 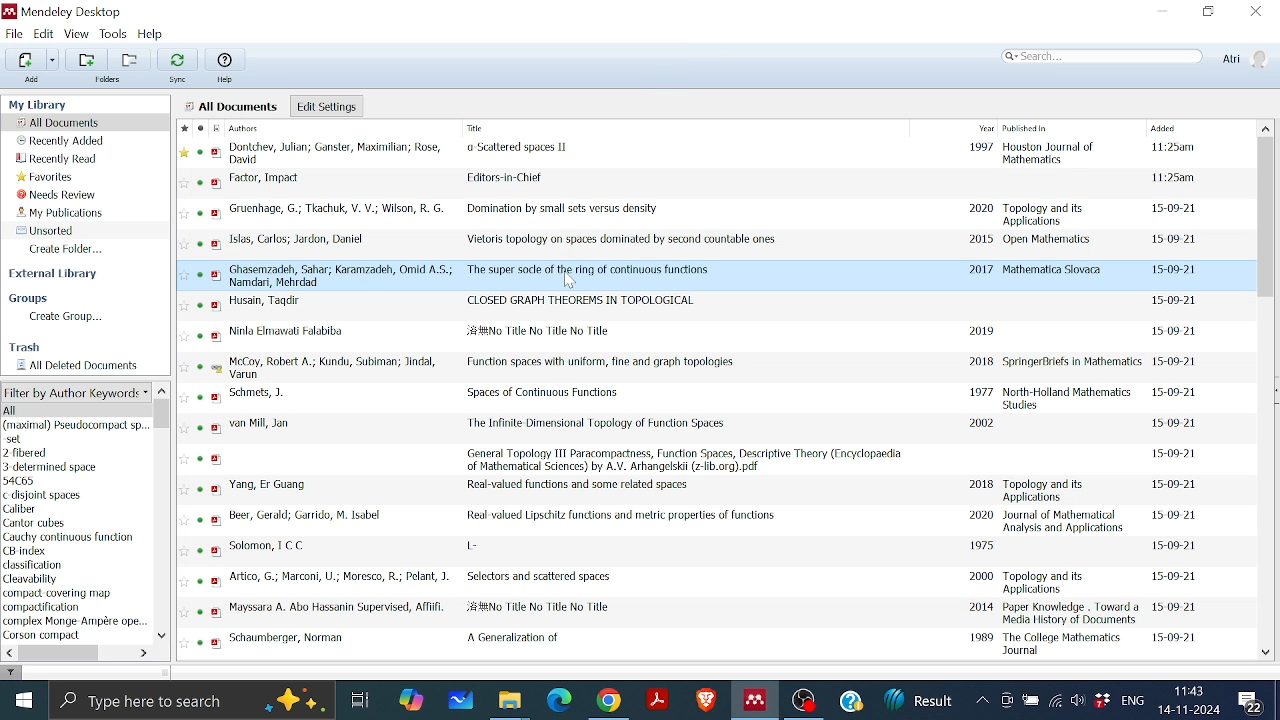 I want to click on Profile, so click(x=1245, y=58).